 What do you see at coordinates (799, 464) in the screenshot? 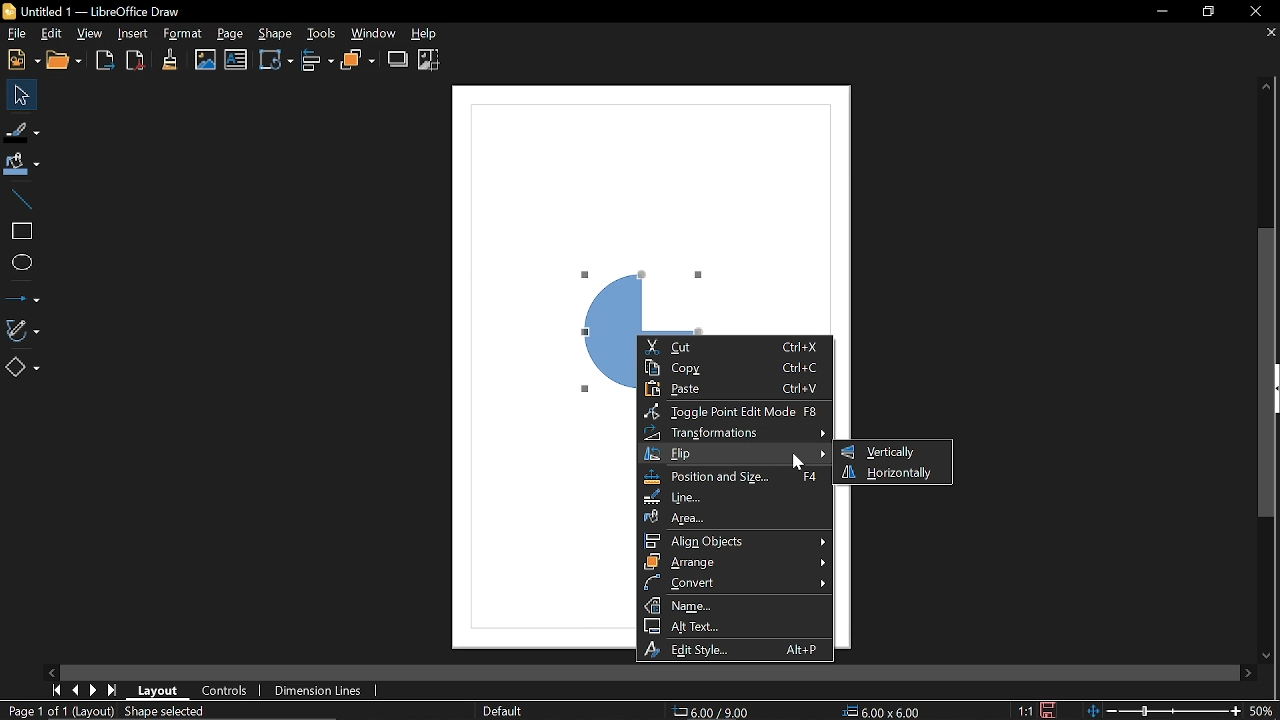
I see `cursor` at bounding box center [799, 464].